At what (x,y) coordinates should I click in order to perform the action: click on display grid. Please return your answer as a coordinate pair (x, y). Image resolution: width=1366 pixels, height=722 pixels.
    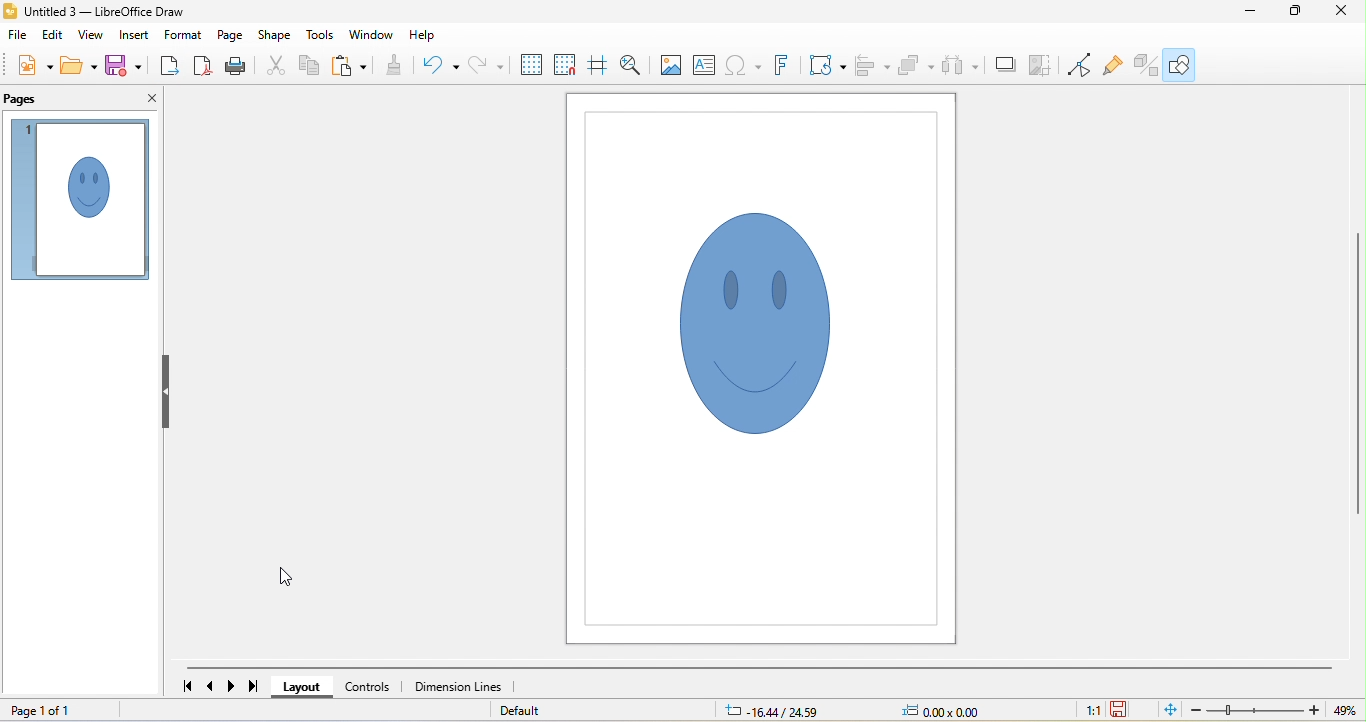
    Looking at the image, I should click on (532, 64).